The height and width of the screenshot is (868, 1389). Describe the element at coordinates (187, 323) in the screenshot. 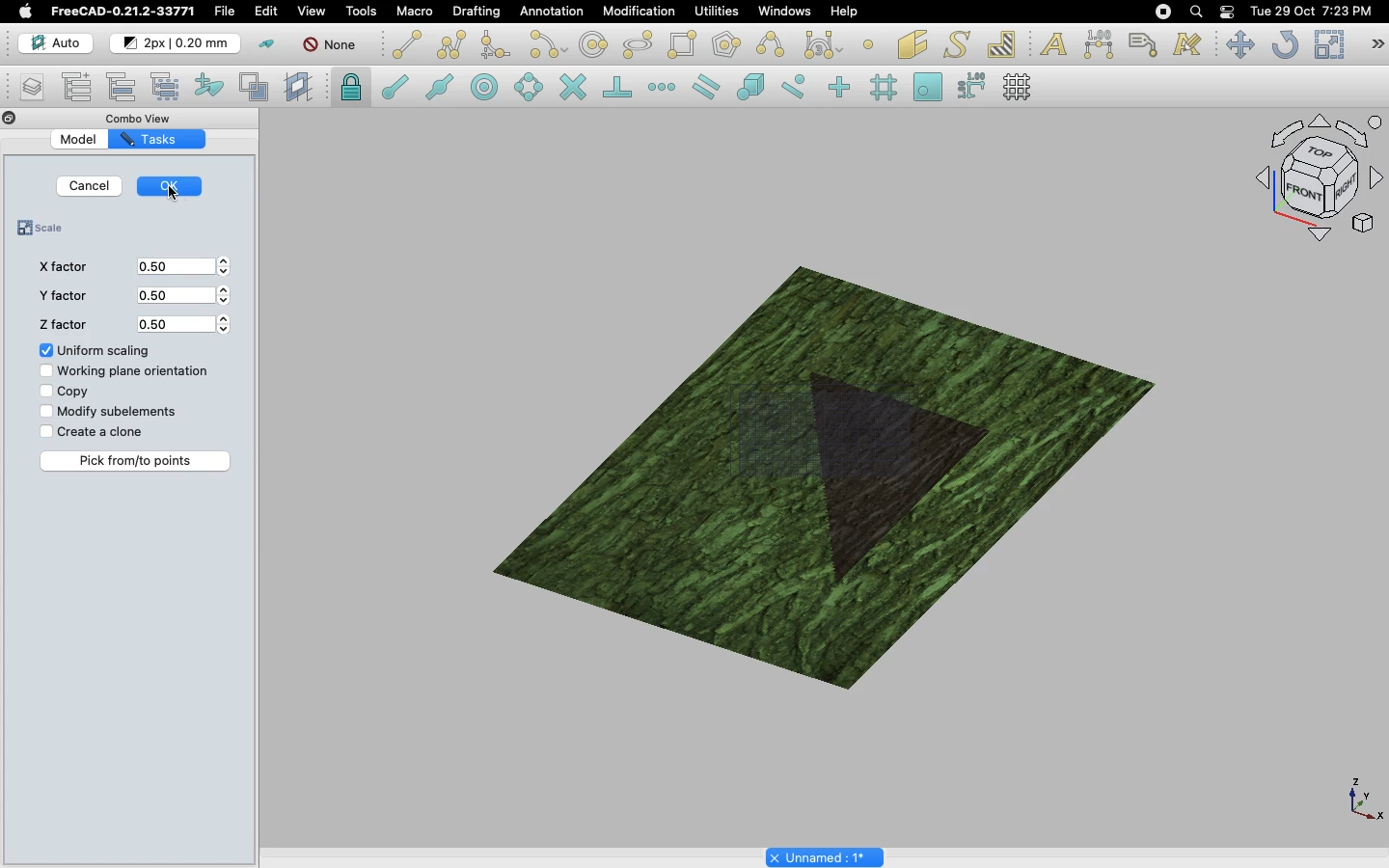

I see `0.5` at that location.